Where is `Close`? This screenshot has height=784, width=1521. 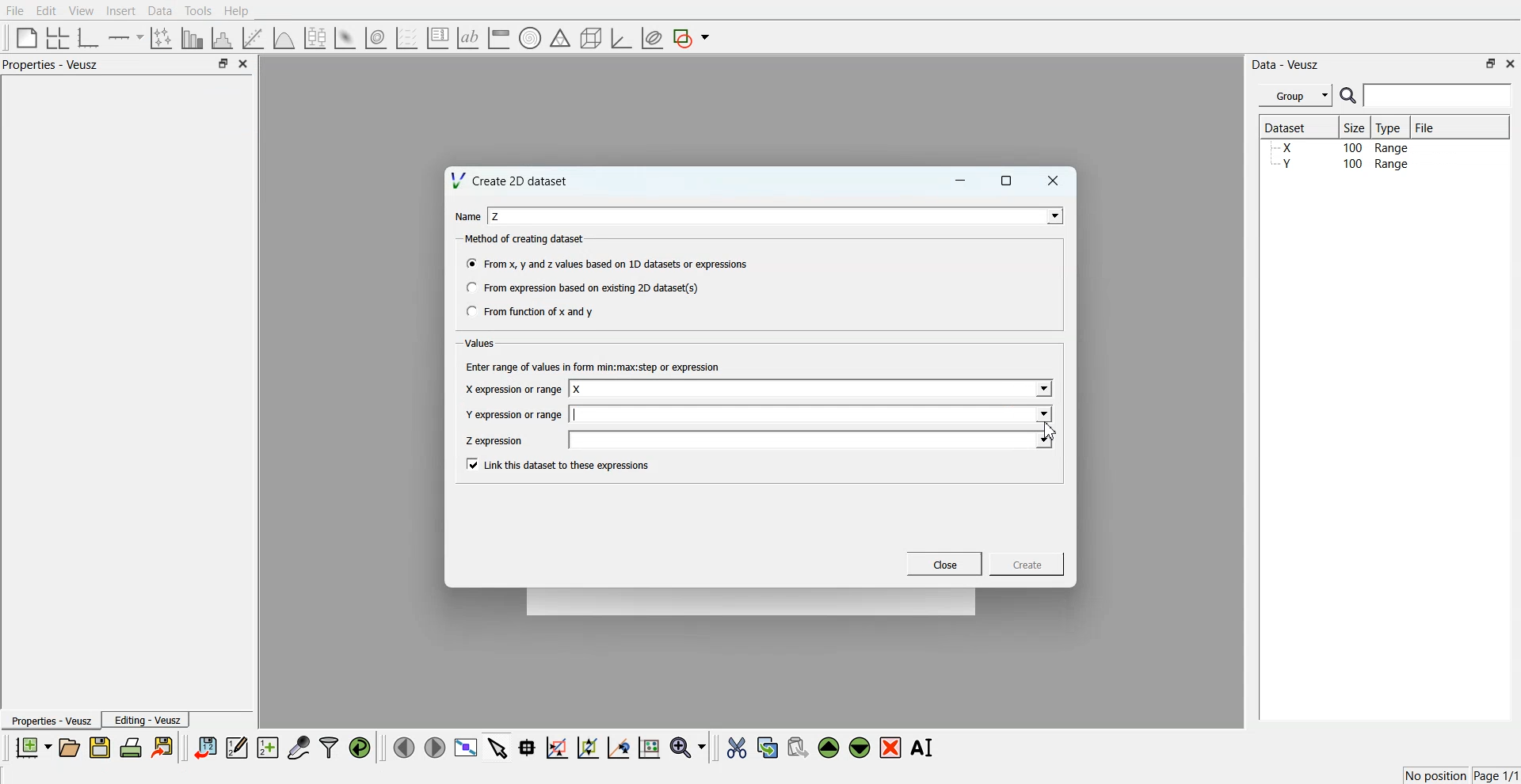
Close is located at coordinates (945, 564).